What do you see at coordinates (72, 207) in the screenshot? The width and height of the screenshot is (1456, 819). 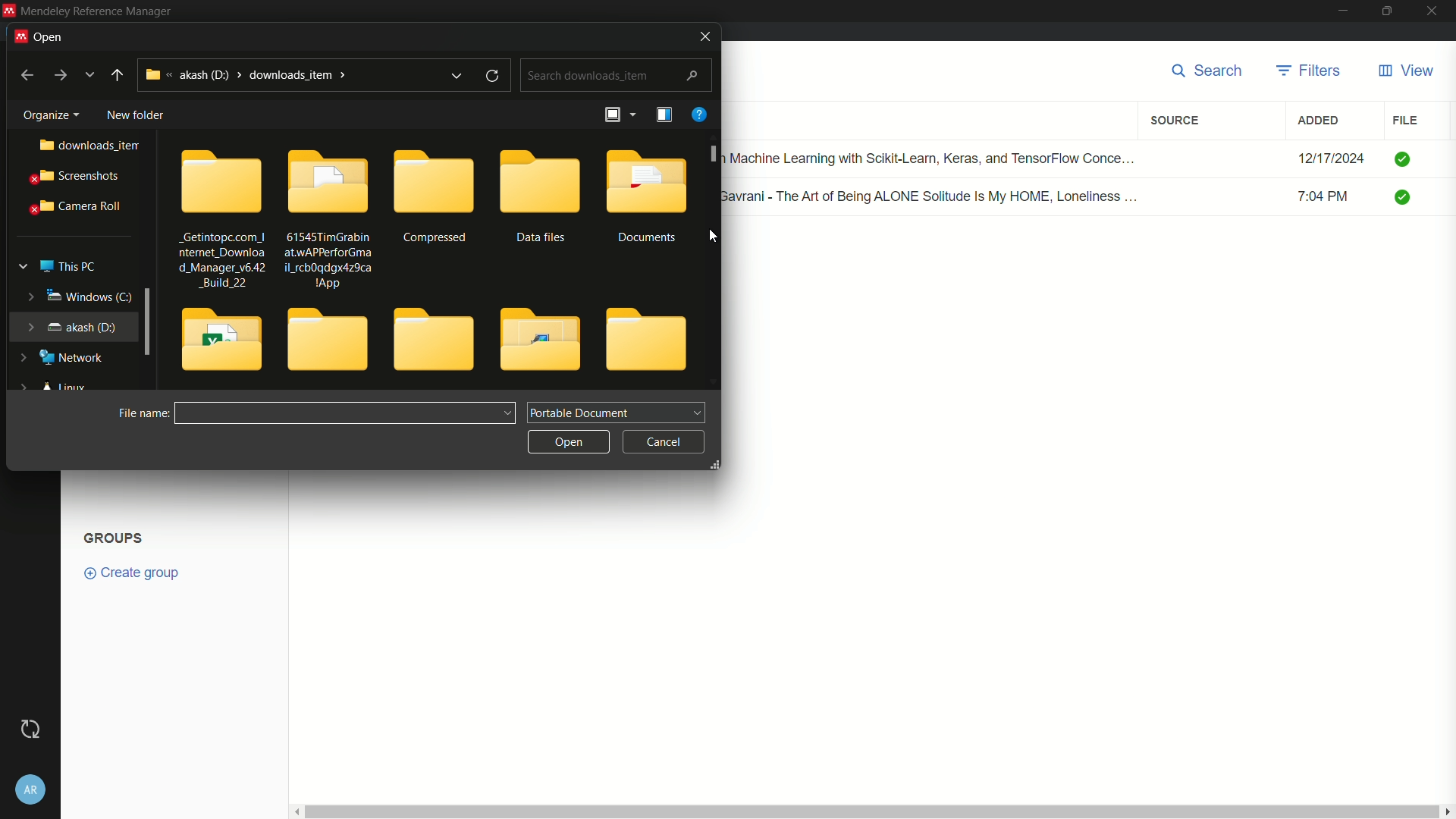 I see `camera roll` at bounding box center [72, 207].